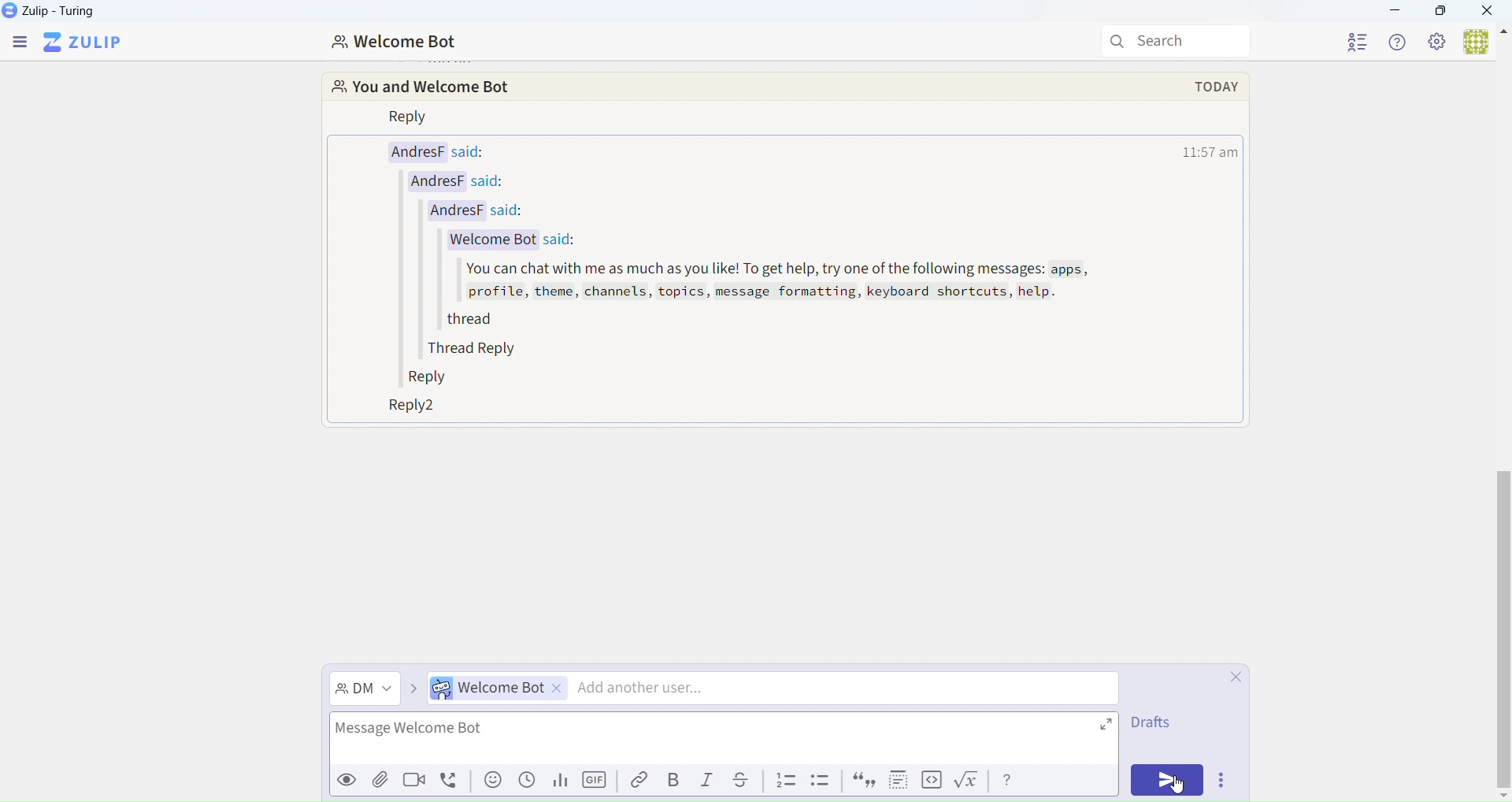  What do you see at coordinates (1177, 39) in the screenshot?
I see `Search` at bounding box center [1177, 39].